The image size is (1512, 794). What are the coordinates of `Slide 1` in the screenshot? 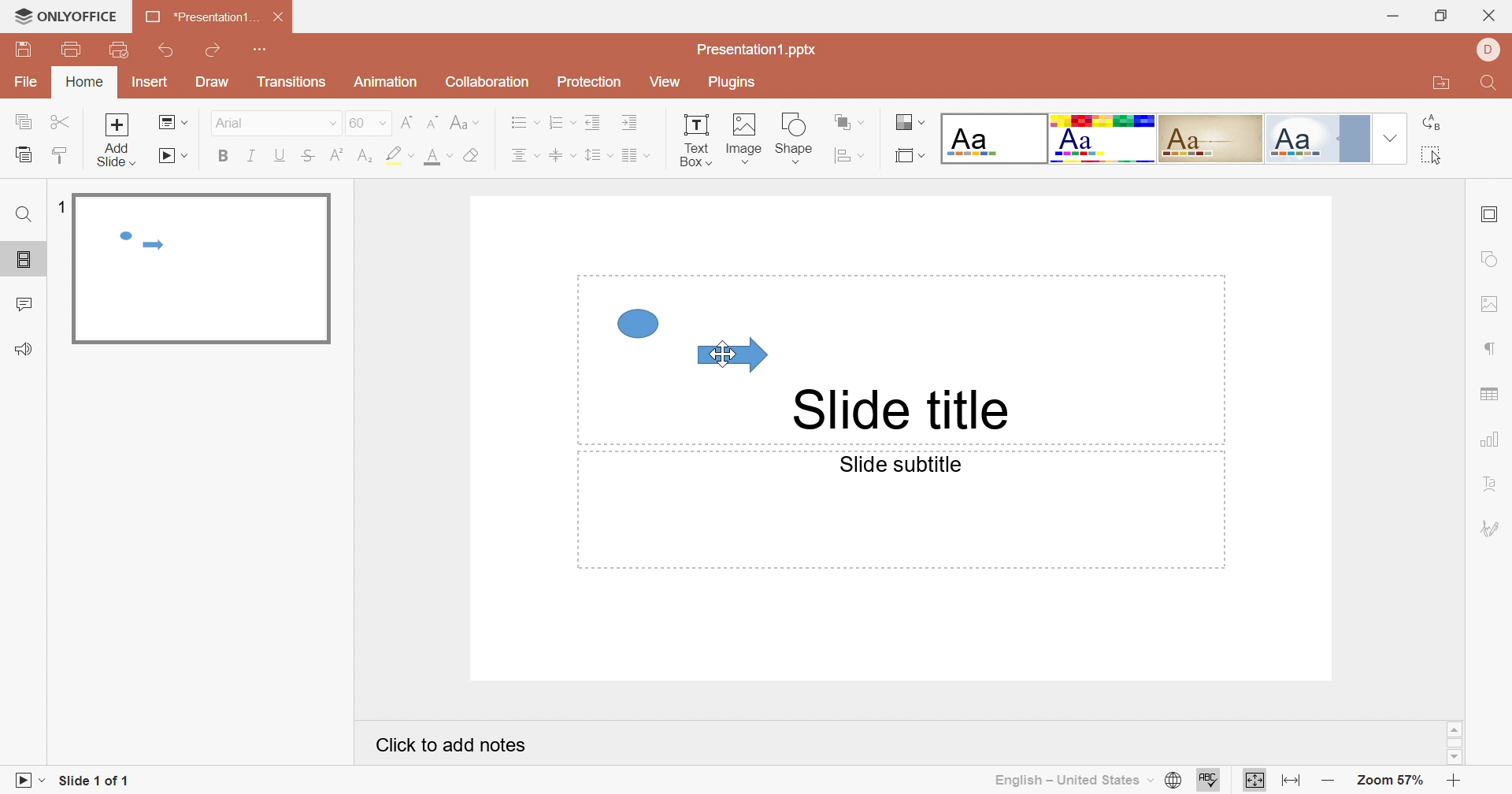 It's located at (206, 270).